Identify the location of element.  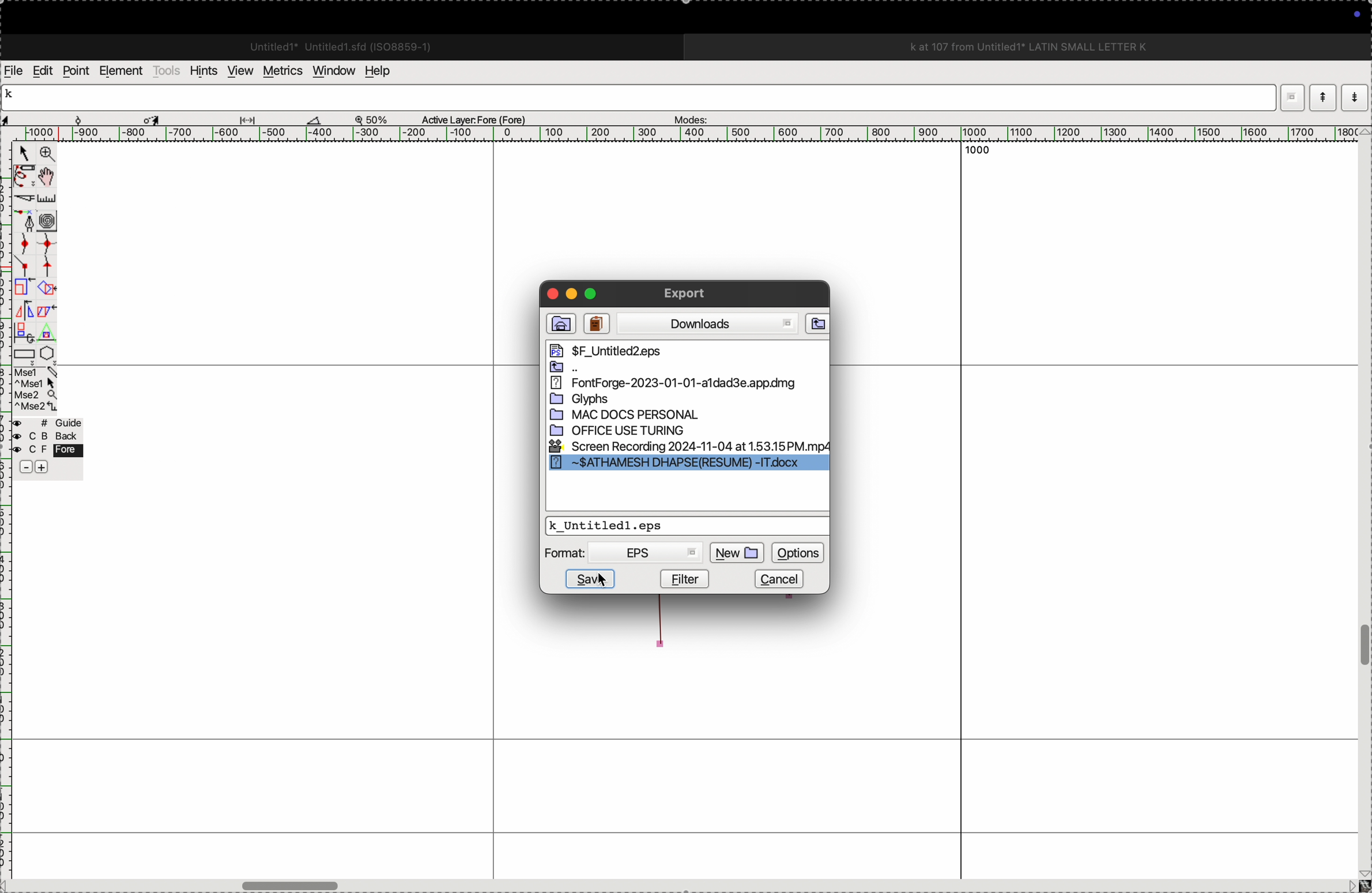
(122, 71).